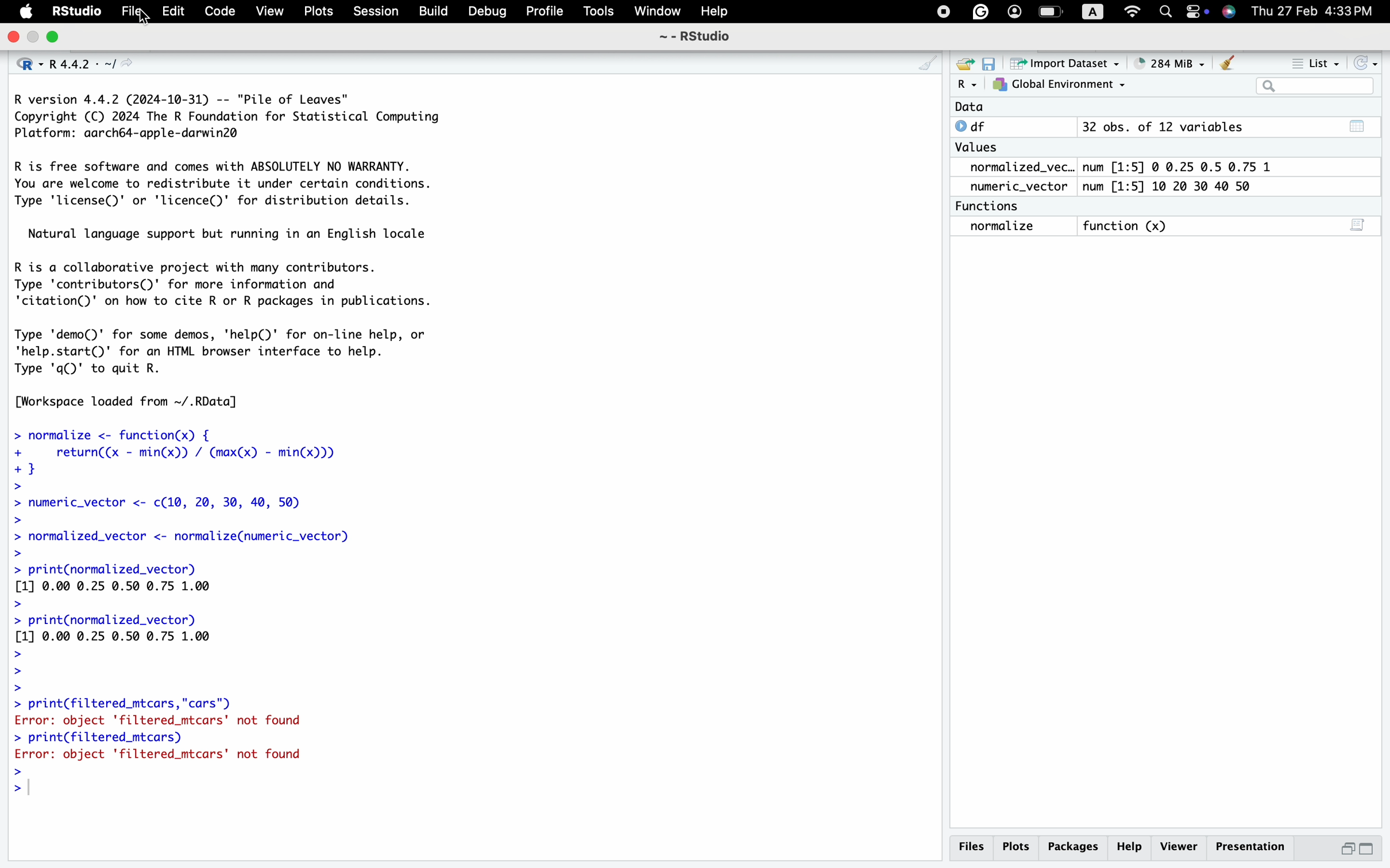  I want to click on CURSOR, so click(145, 17).